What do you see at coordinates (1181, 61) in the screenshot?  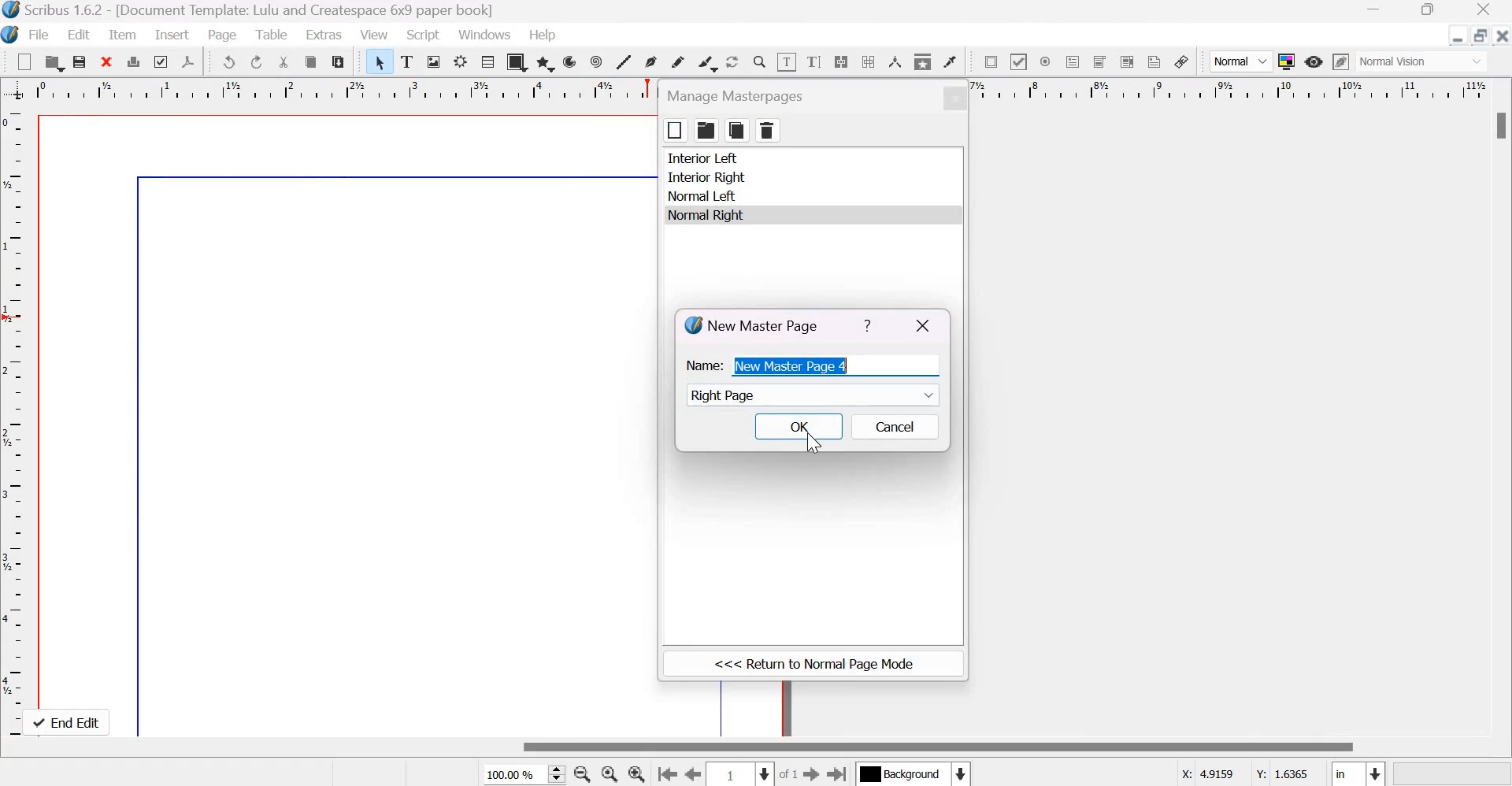 I see `Link annotation` at bounding box center [1181, 61].